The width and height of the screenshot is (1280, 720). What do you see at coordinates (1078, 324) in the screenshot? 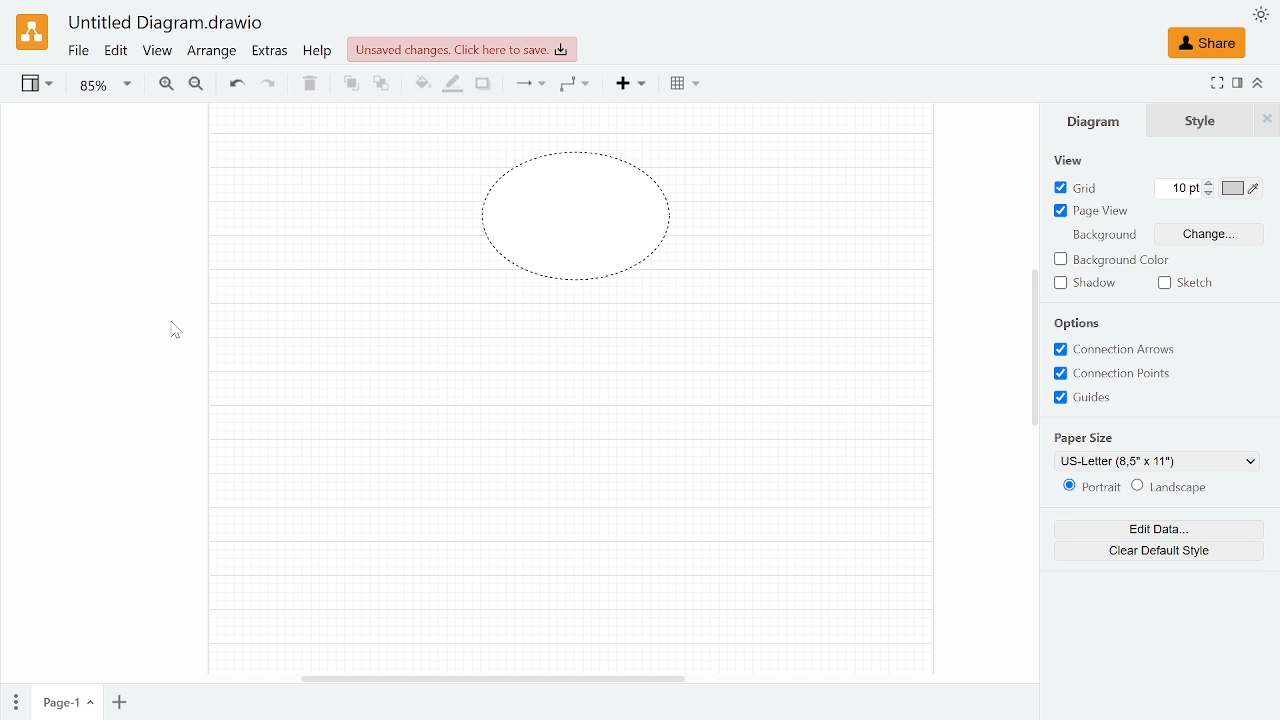
I see `options` at bounding box center [1078, 324].